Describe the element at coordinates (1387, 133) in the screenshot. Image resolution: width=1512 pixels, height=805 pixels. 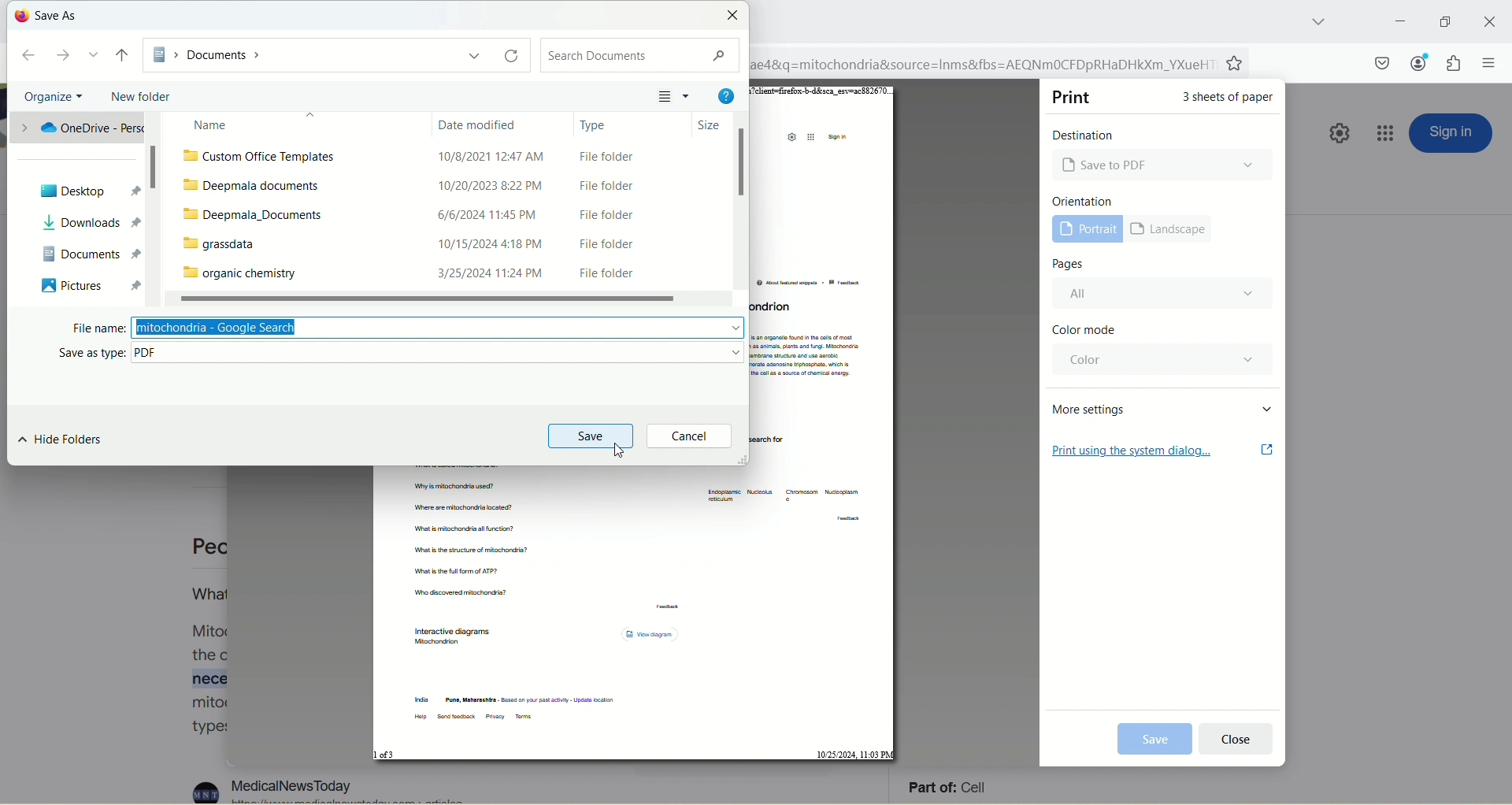
I see `google apps` at that location.